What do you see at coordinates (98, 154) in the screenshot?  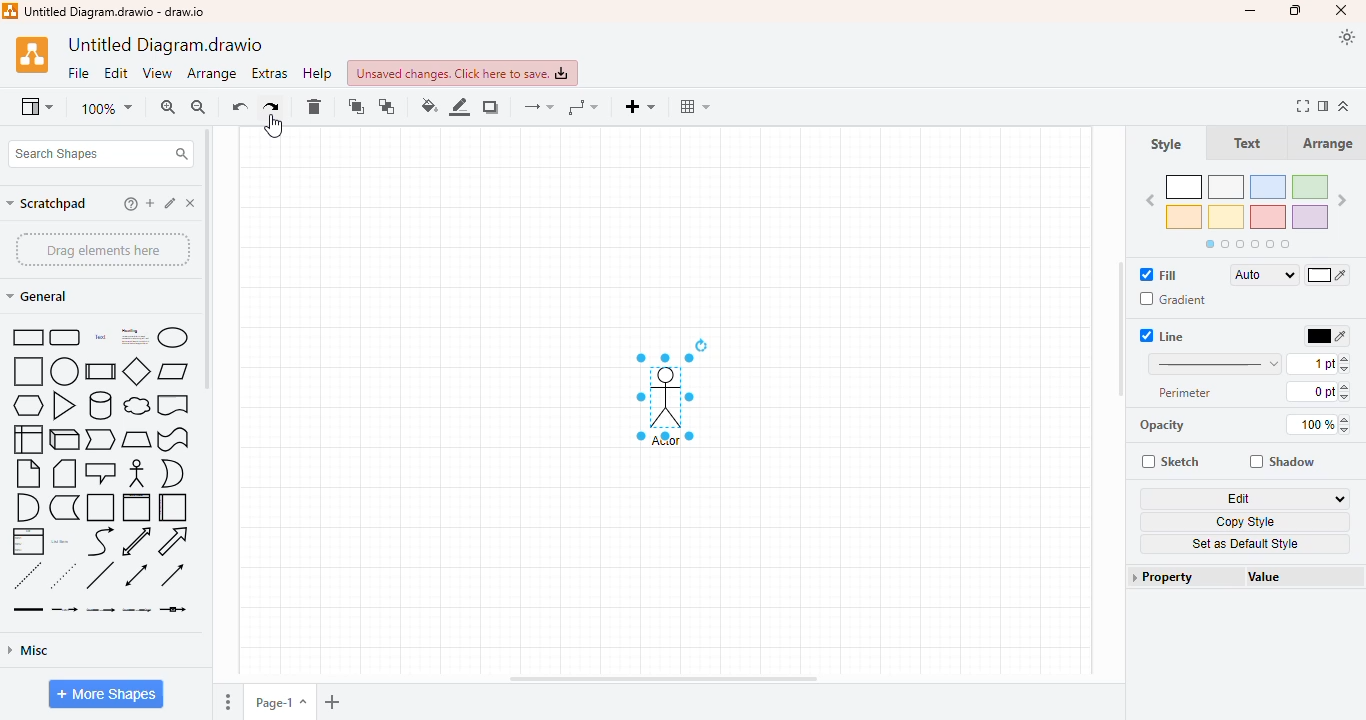 I see `search shapes` at bounding box center [98, 154].